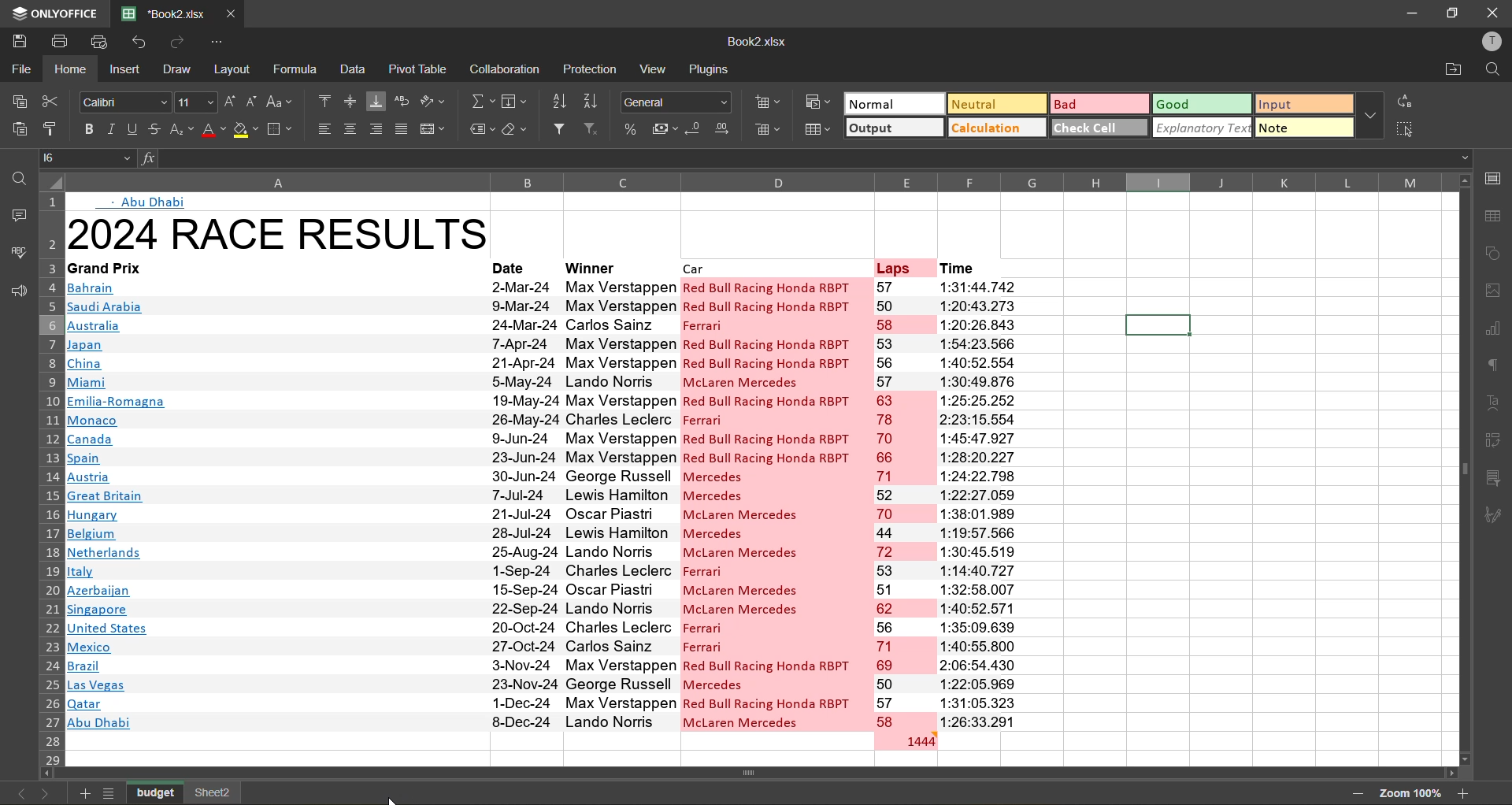 The image size is (1512, 805). I want to click on align middle , so click(353, 101).